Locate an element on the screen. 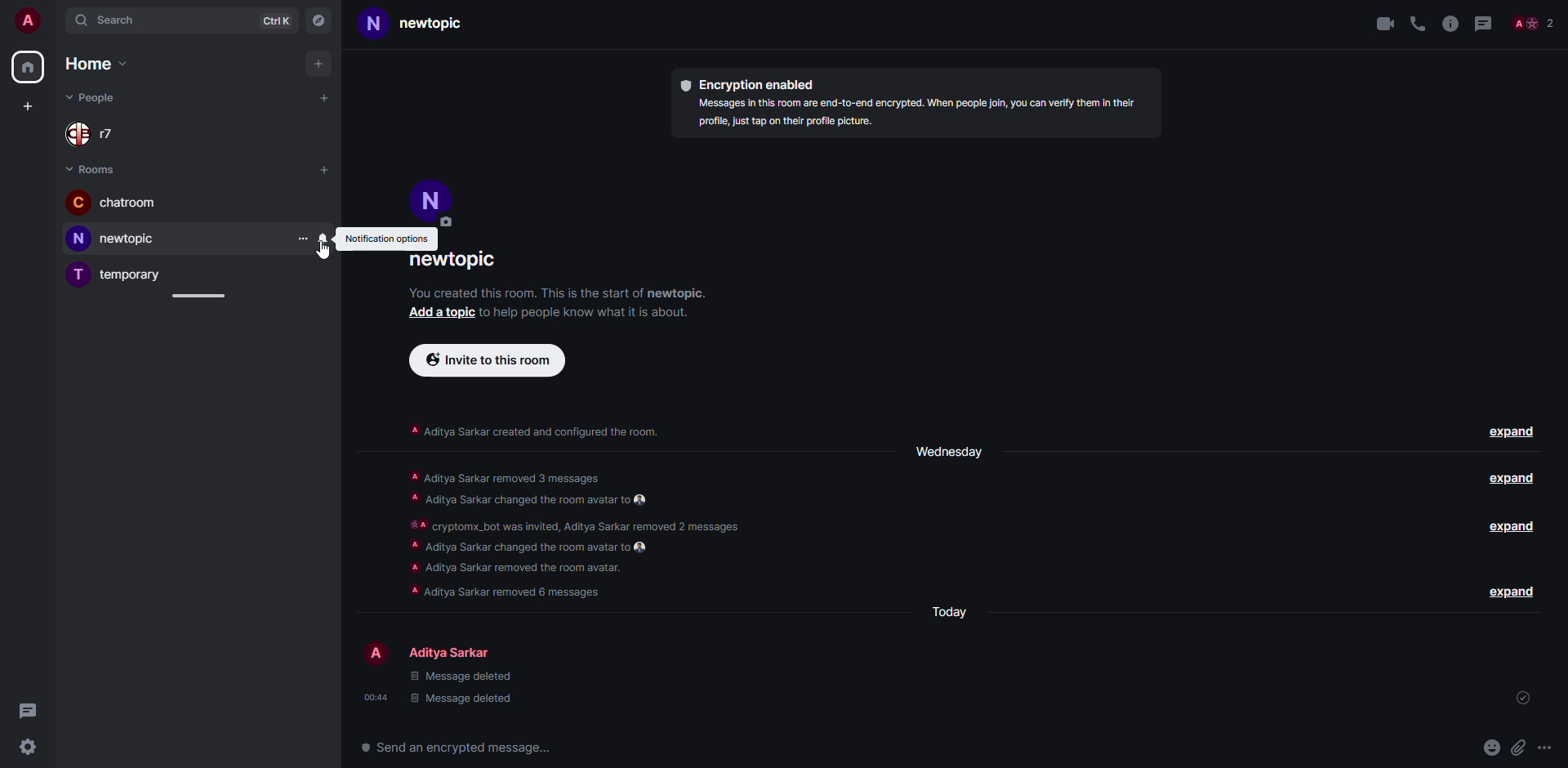 The image size is (1568, 768). emoji is located at coordinates (1491, 746).